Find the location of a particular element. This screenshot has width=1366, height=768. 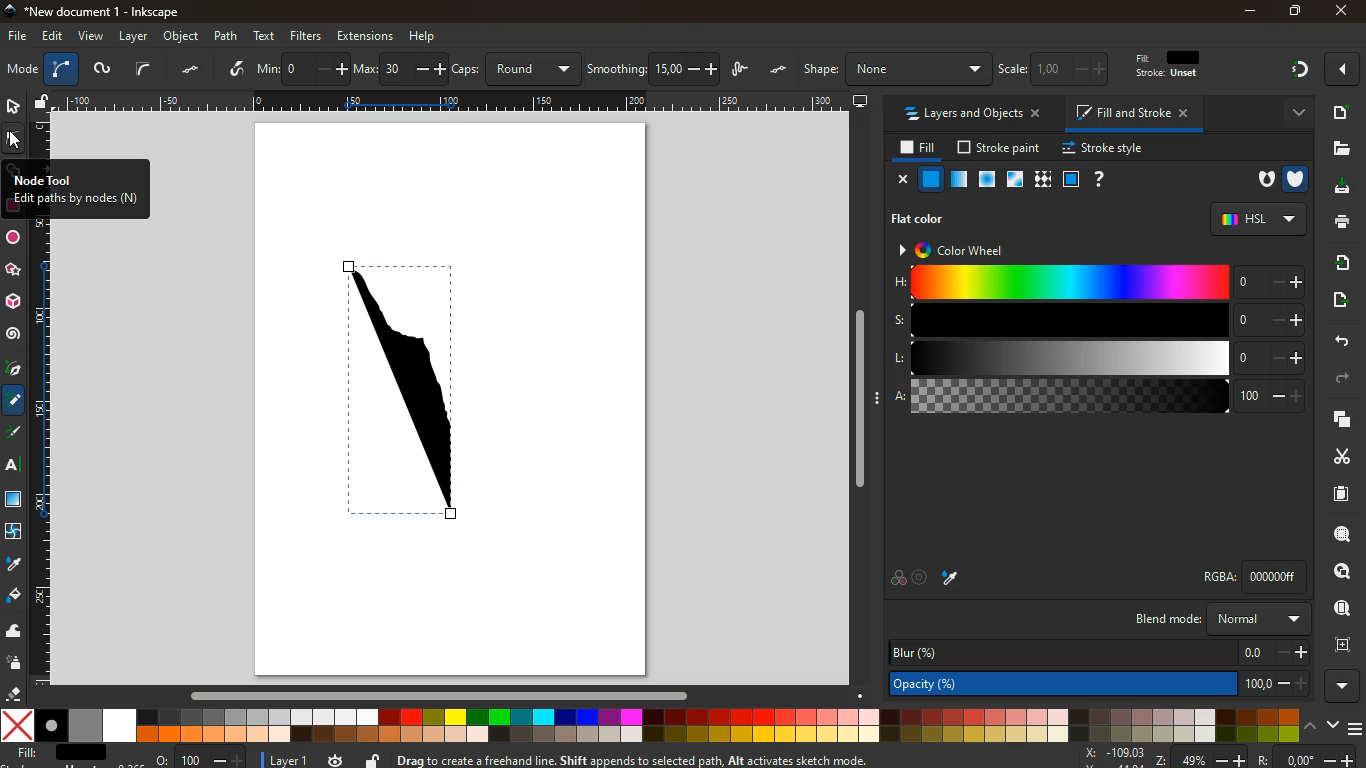

blend mode is located at coordinates (1225, 619).